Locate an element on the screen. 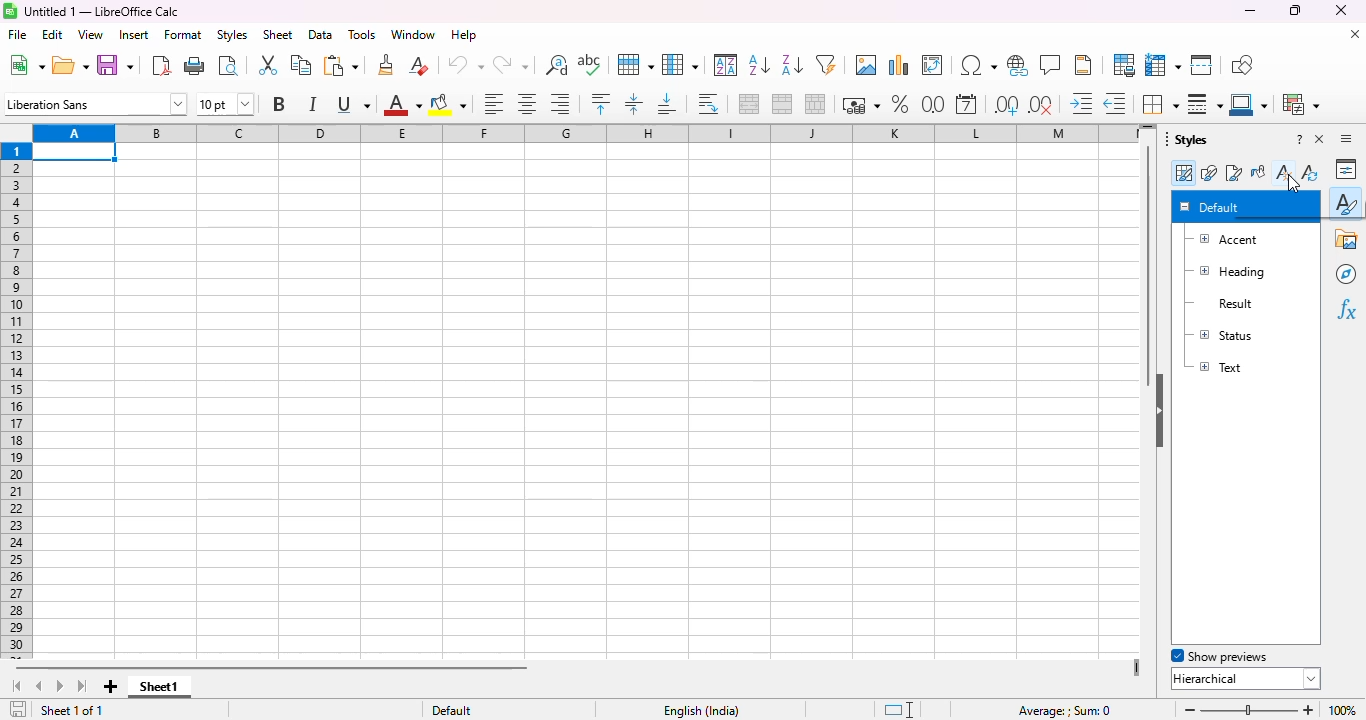  freeze rows and columns is located at coordinates (1163, 65).